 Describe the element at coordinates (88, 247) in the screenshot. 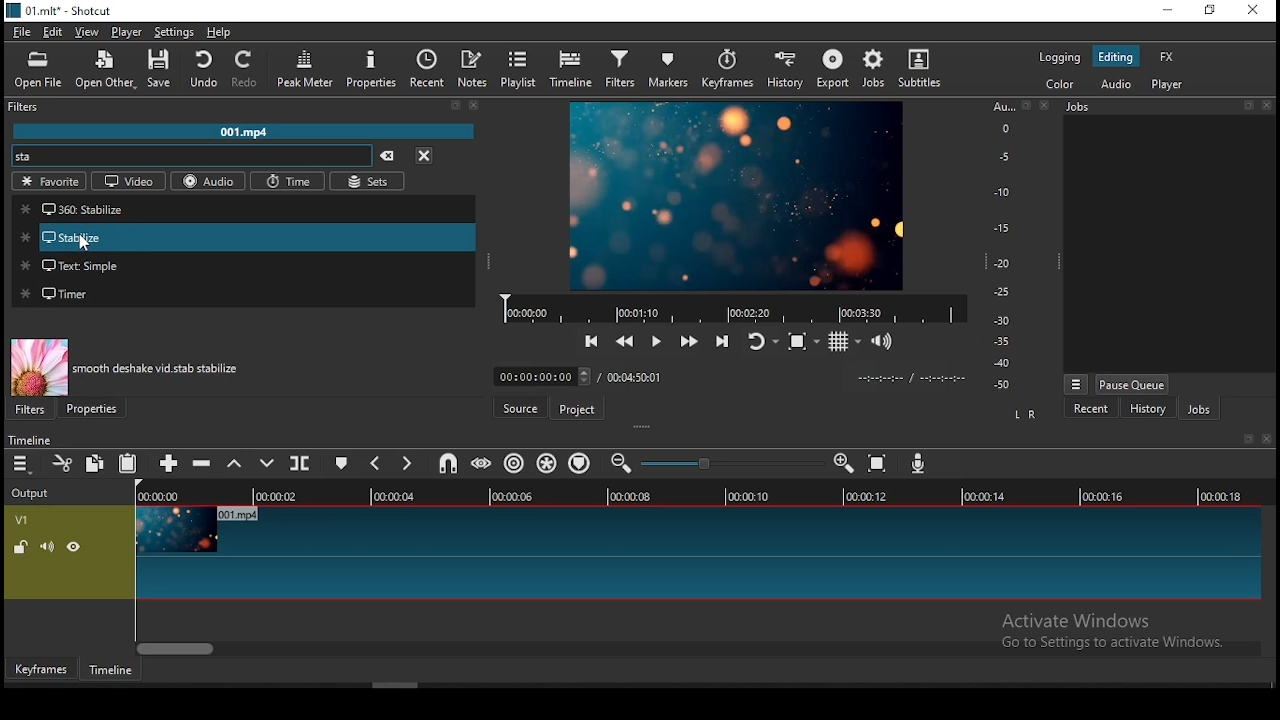

I see `cursor` at that location.